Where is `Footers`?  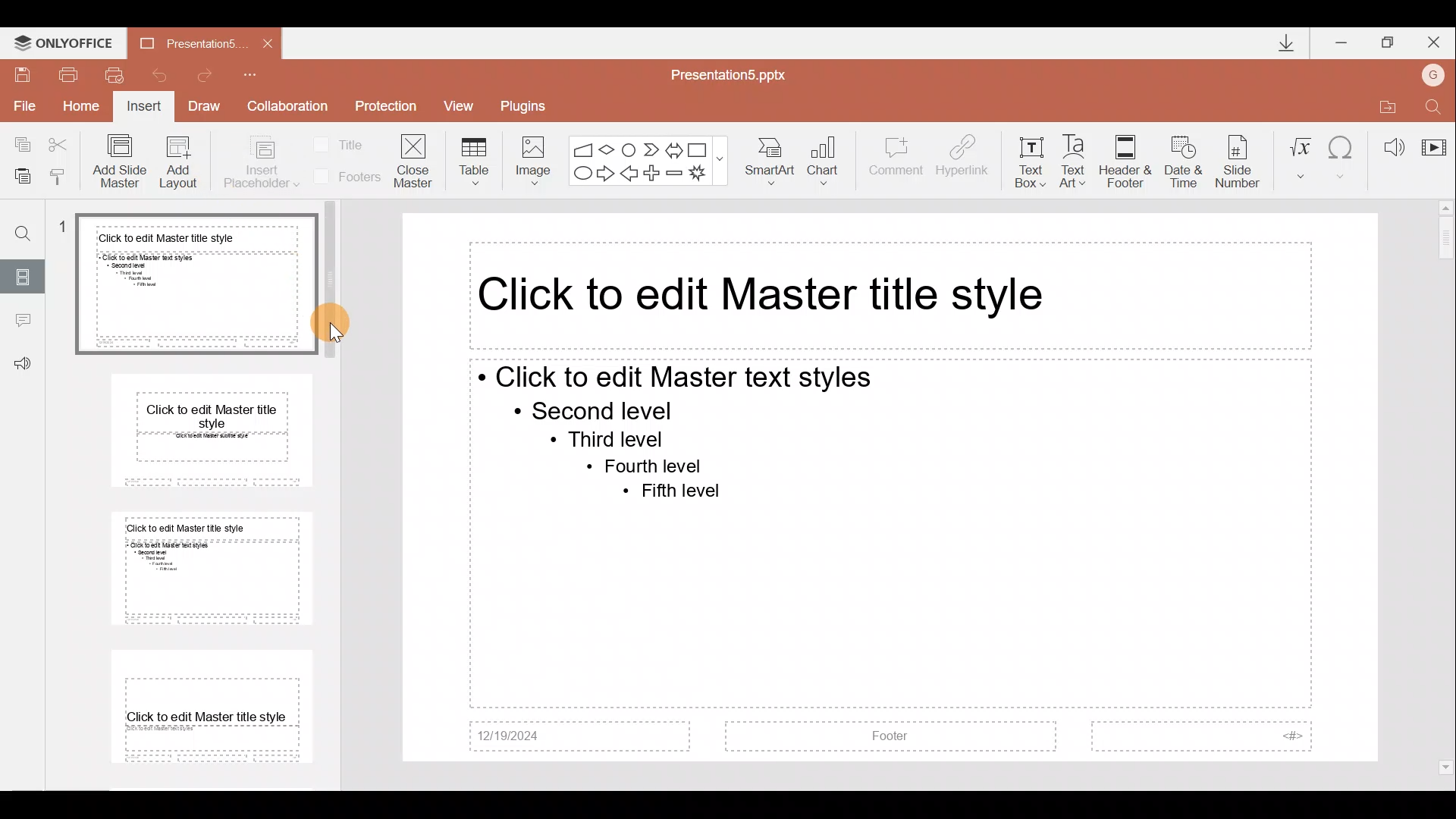 Footers is located at coordinates (345, 177).